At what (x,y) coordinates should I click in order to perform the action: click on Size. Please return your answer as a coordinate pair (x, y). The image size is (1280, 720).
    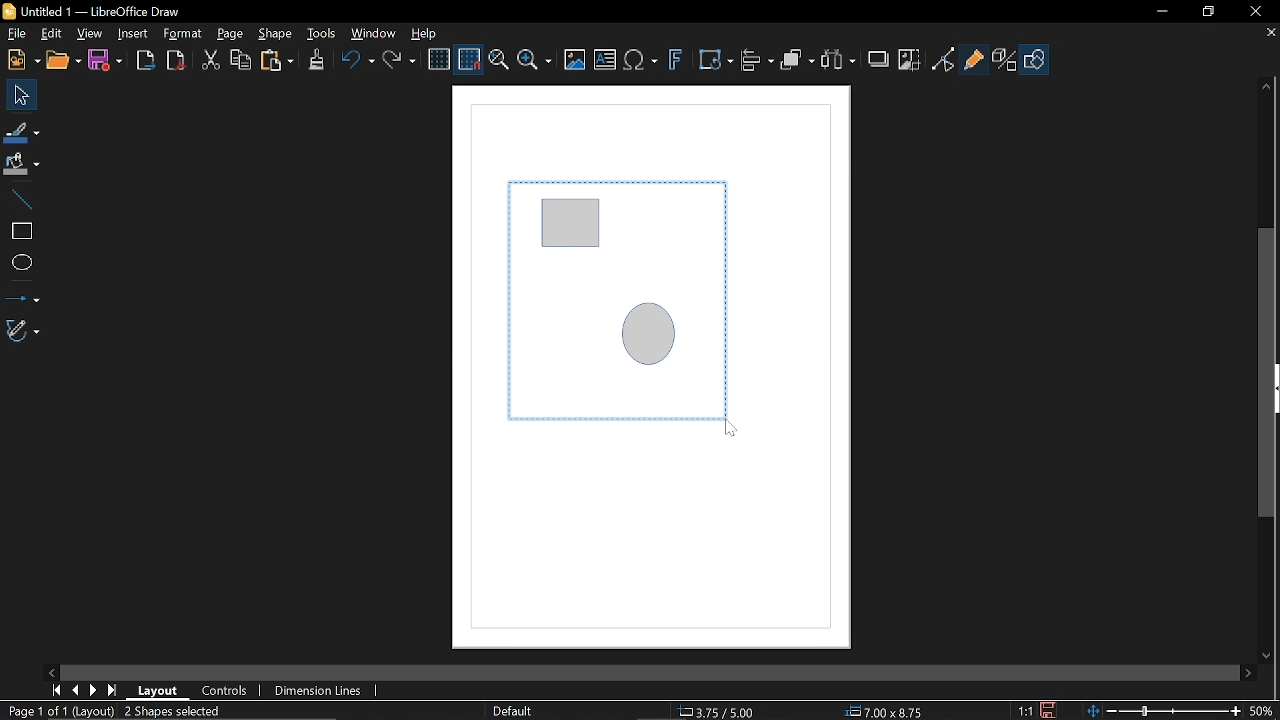
    Looking at the image, I should click on (891, 712).